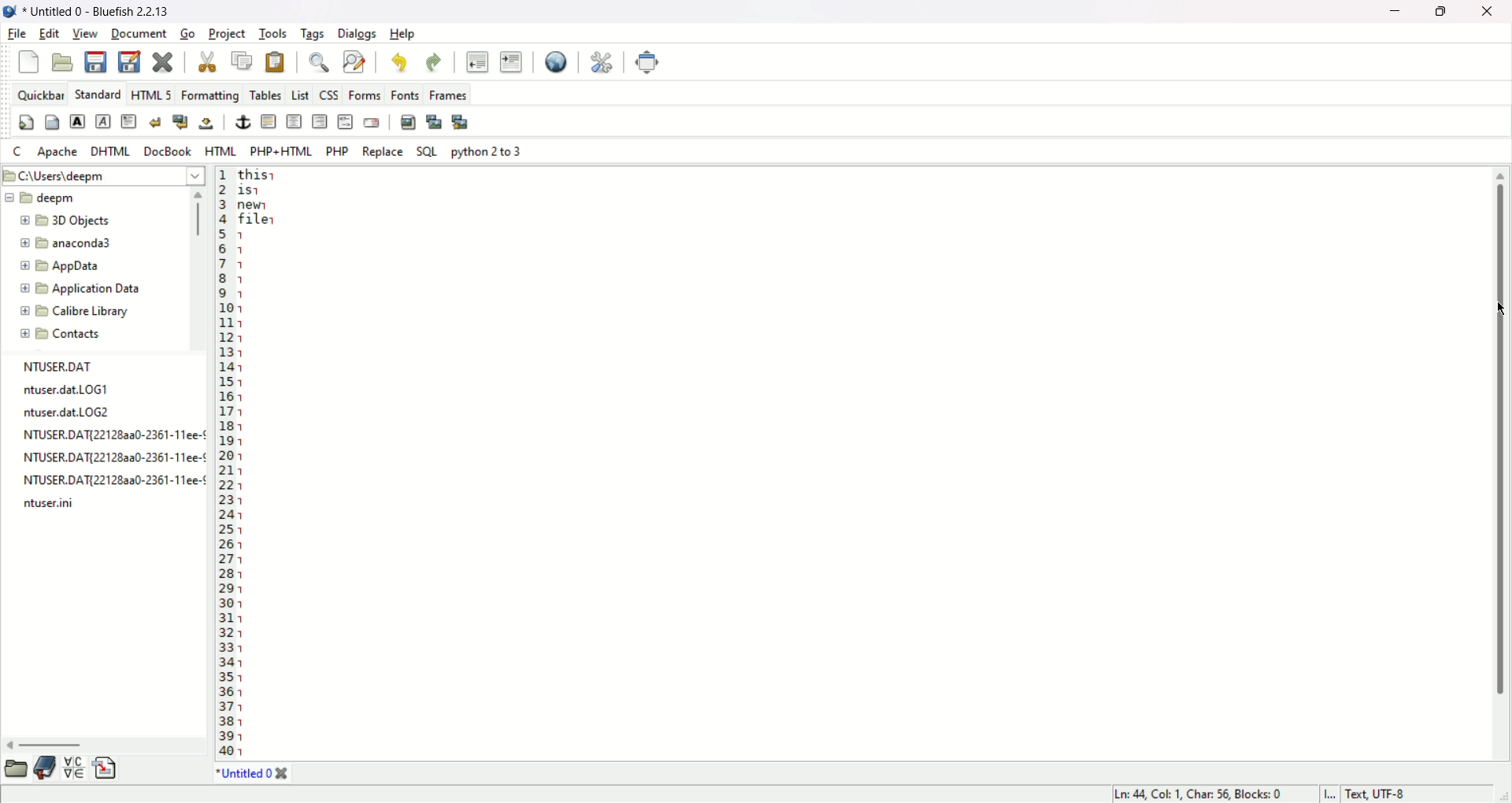 The image size is (1512, 803). Describe the element at coordinates (1411, 794) in the screenshot. I see `character encoding` at that location.